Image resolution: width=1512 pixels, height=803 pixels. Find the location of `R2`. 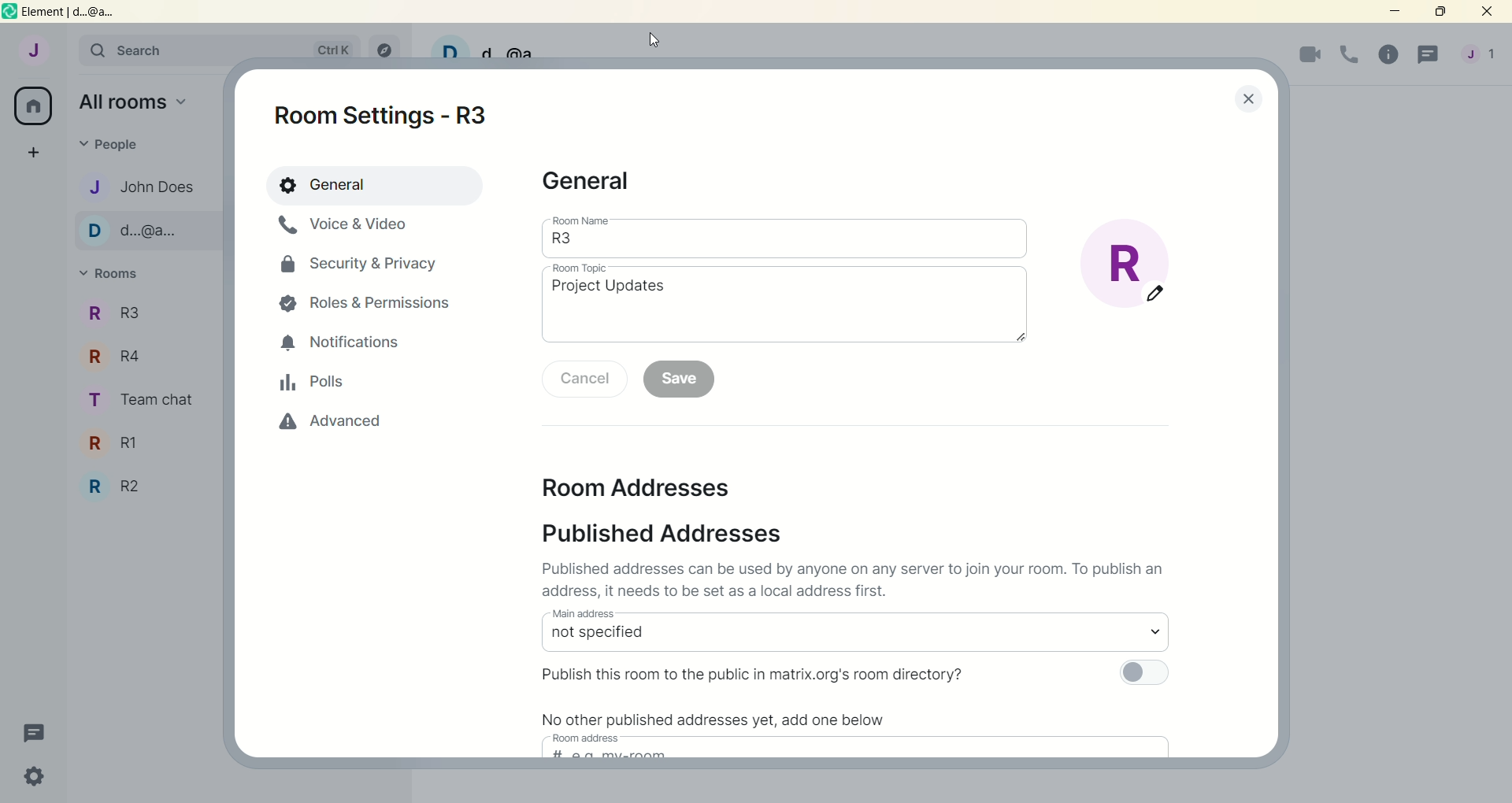

R2 is located at coordinates (144, 483).